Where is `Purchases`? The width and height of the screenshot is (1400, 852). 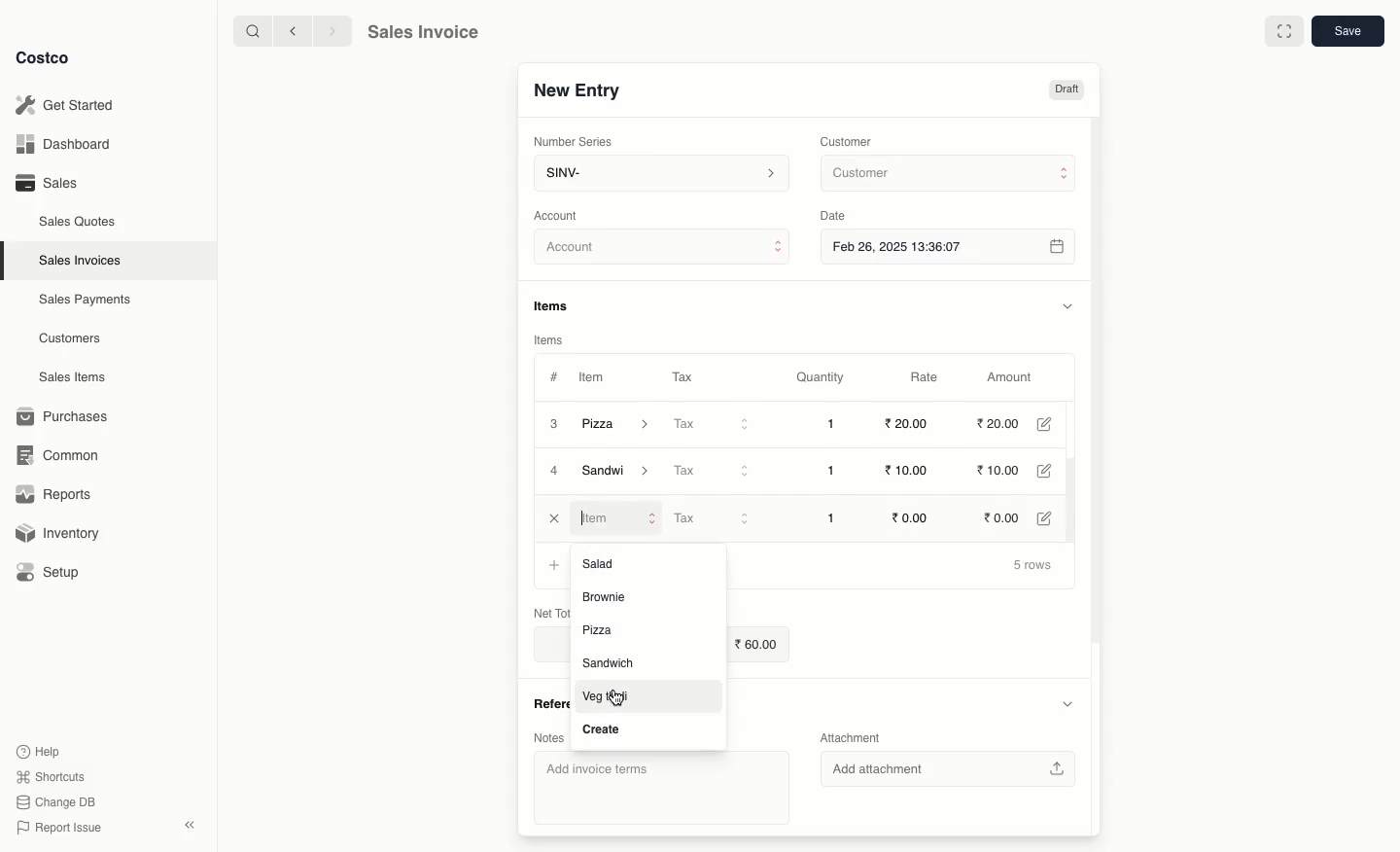
Purchases is located at coordinates (67, 416).